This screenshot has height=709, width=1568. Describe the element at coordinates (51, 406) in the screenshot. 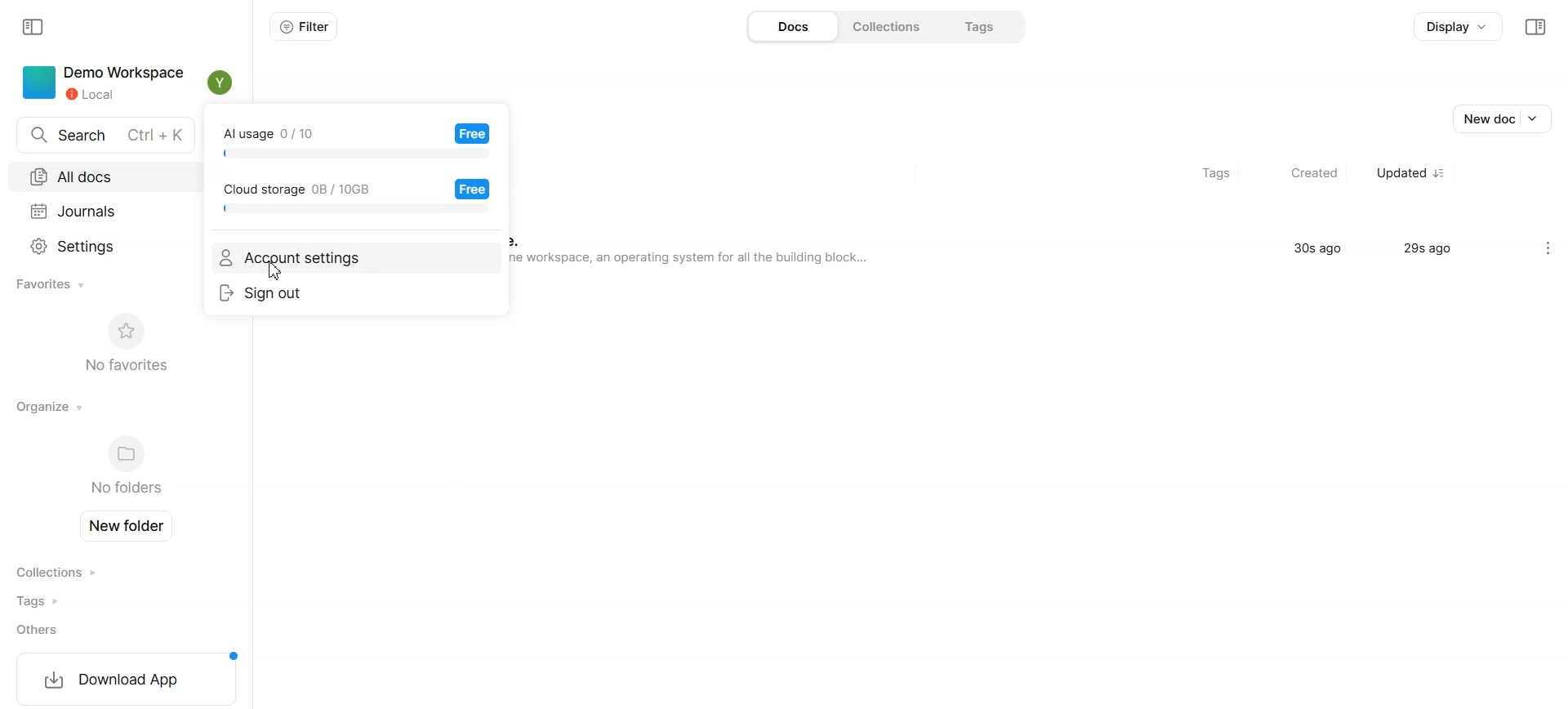

I see `Organize` at that location.